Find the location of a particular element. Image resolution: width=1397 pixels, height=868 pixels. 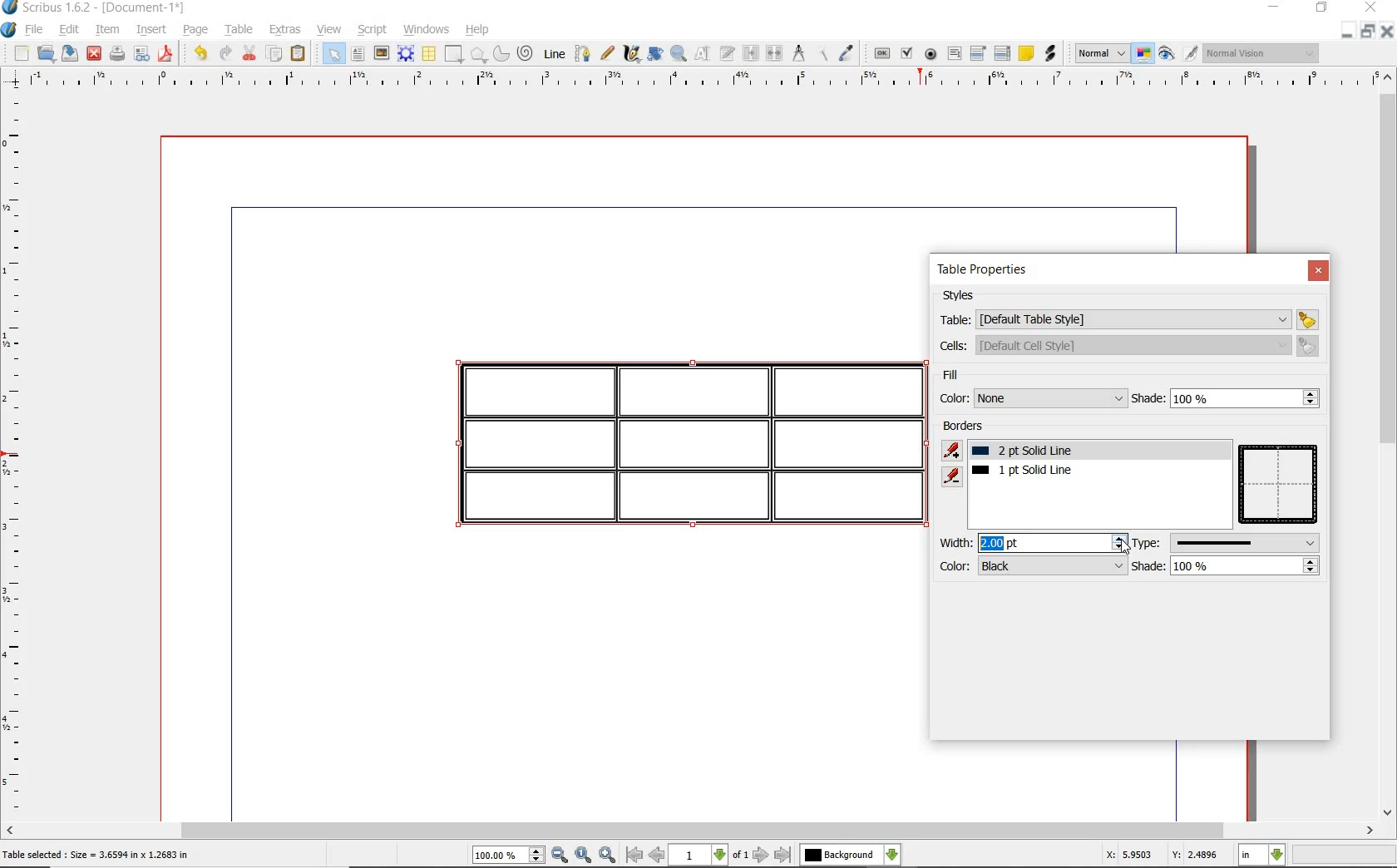

render frame is located at coordinates (406, 55).